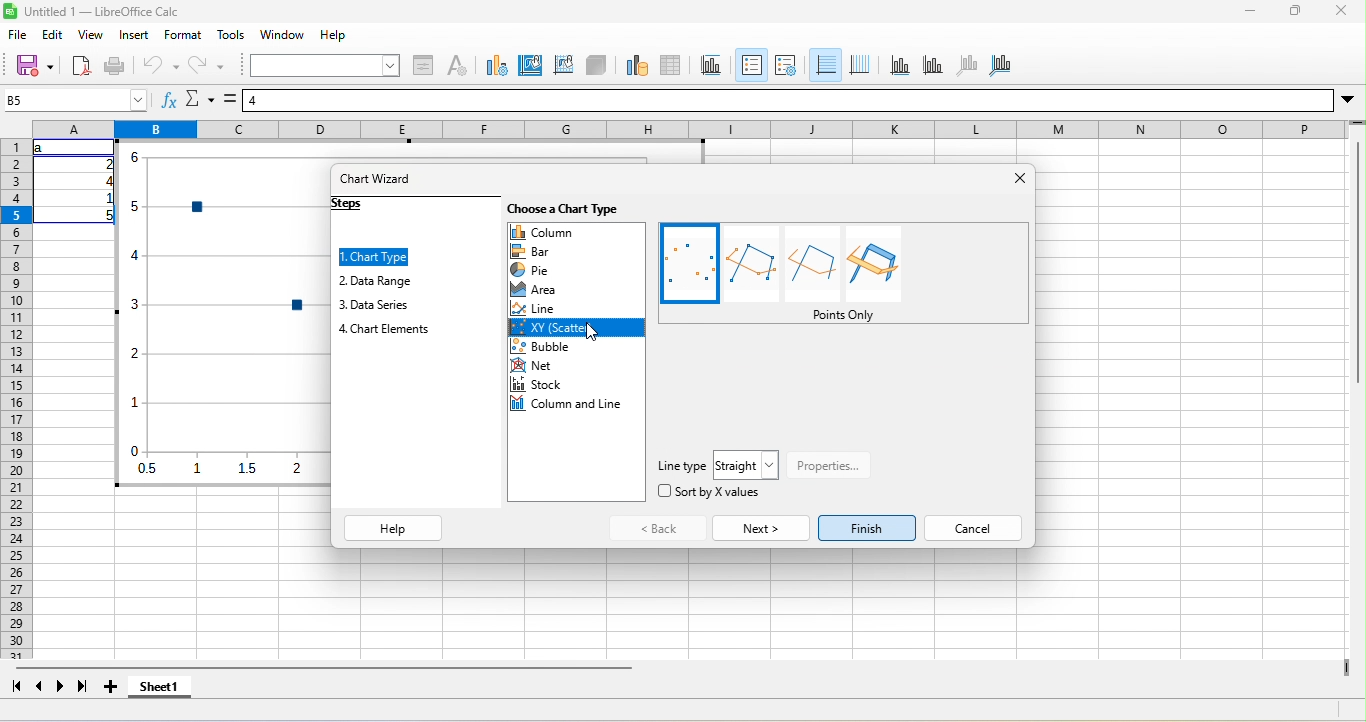  I want to click on sheet1, so click(160, 686).